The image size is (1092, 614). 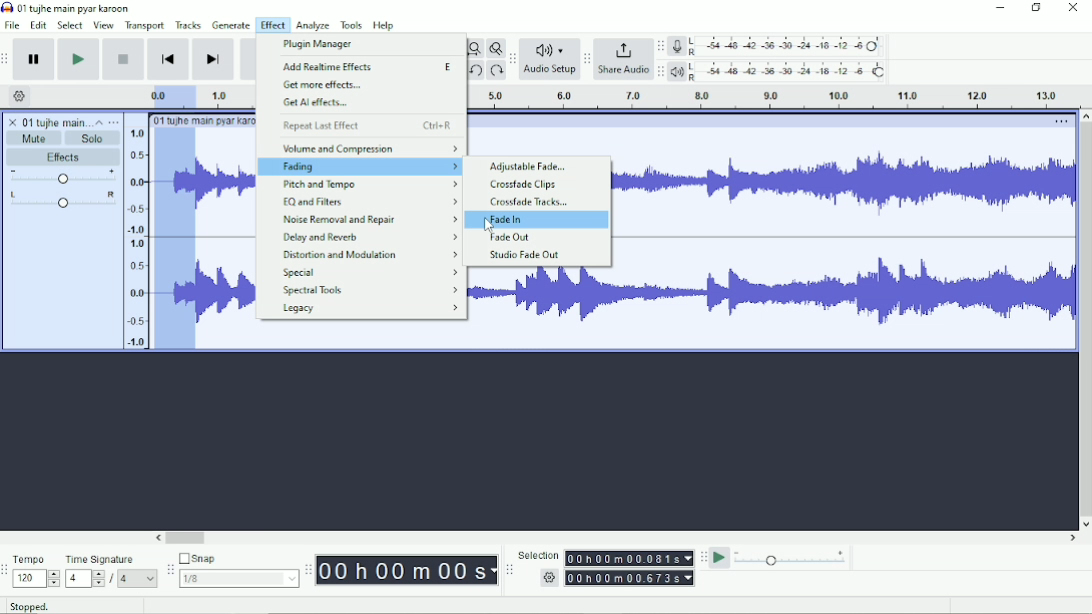 What do you see at coordinates (509, 237) in the screenshot?
I see `Fade Out` at bounding box center [509, 237].